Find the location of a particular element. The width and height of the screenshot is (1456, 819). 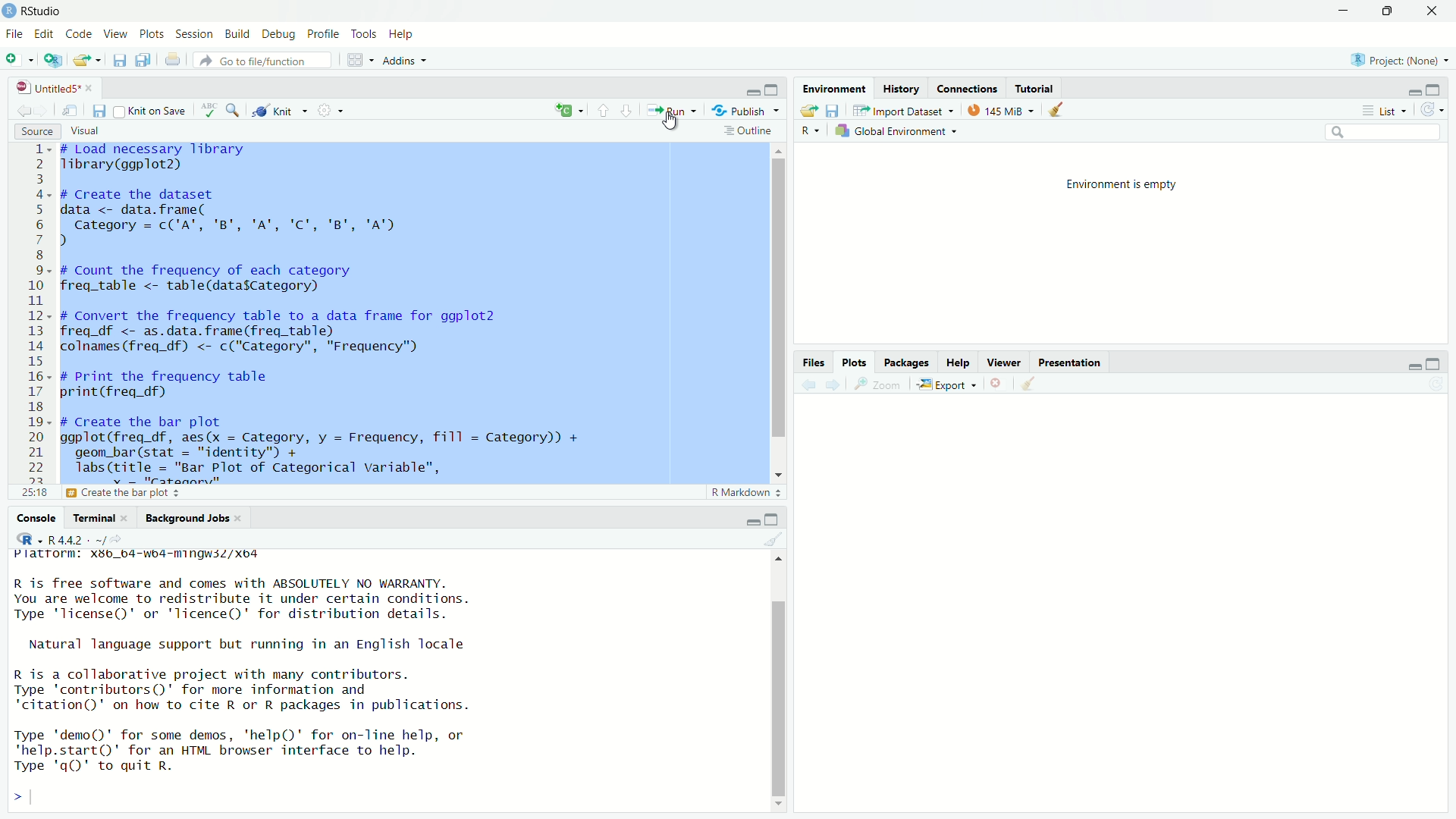

untitled5 is located at coordinates (60, 88).